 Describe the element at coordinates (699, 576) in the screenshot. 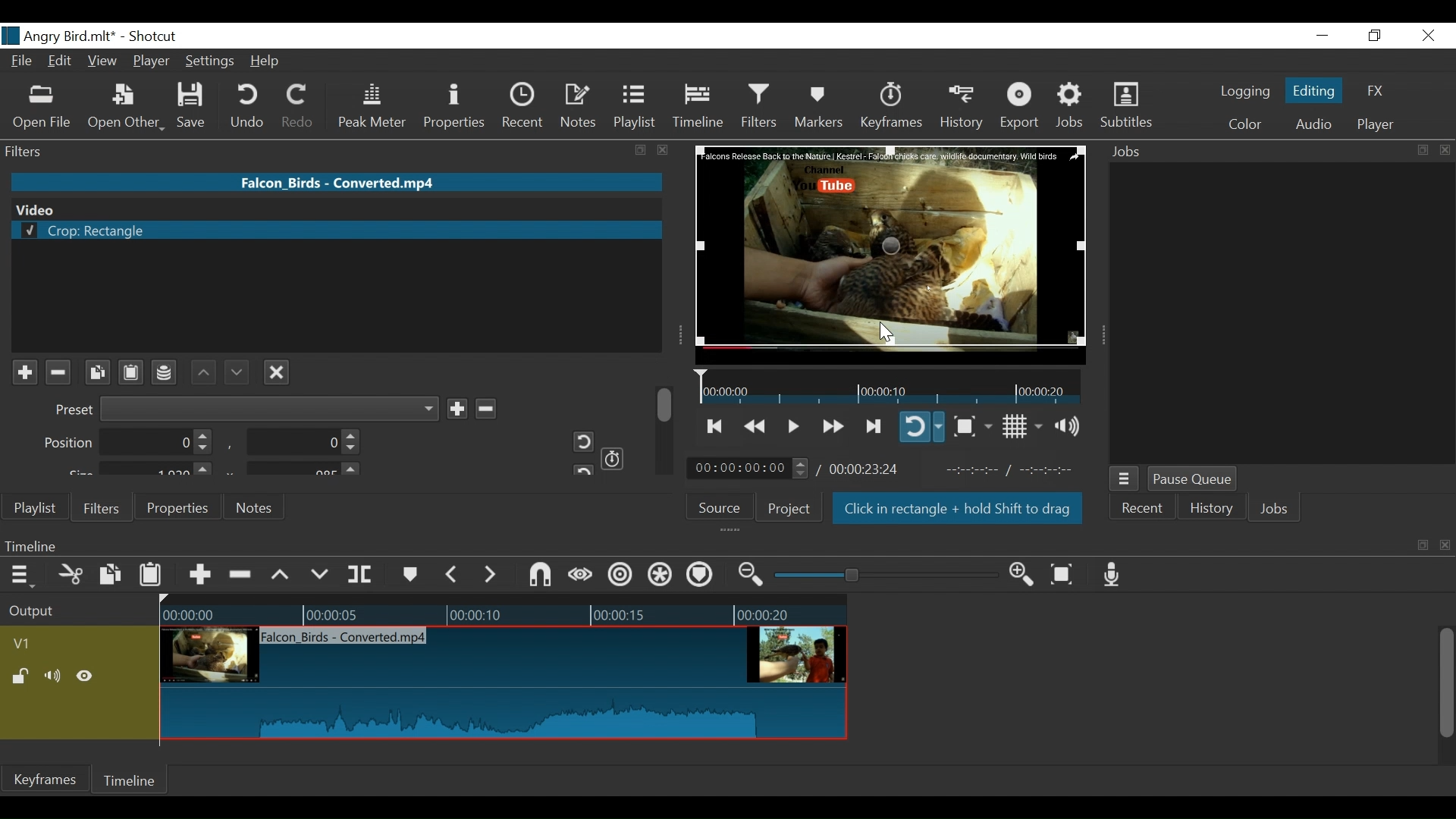

I see `Ripple all tracks` at that location.